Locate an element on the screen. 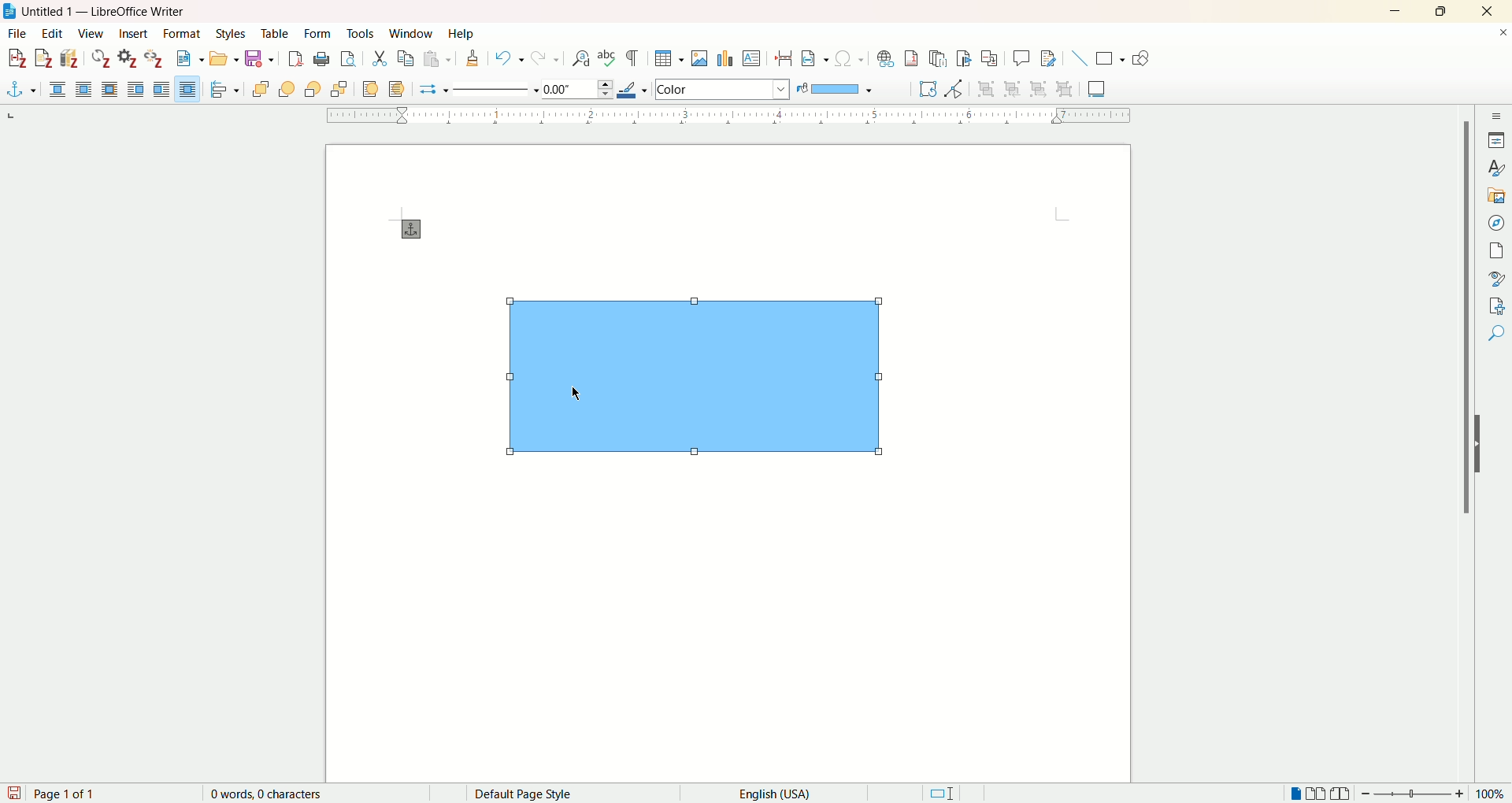 This screenshot has height=803, width=1512. page is located at coordinates (1495, 253).